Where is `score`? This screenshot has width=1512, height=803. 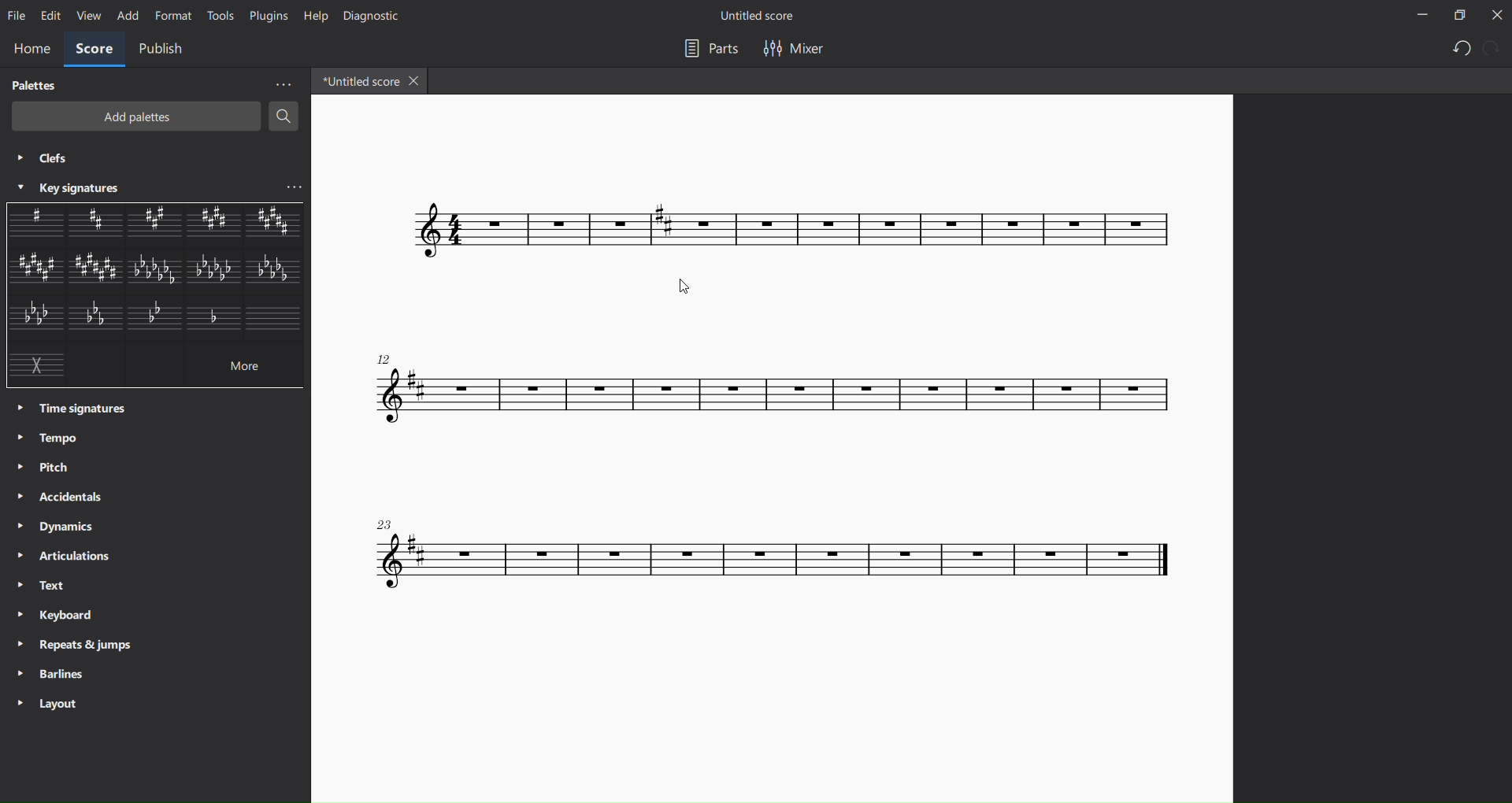
score is located at coordinates (93, 48).